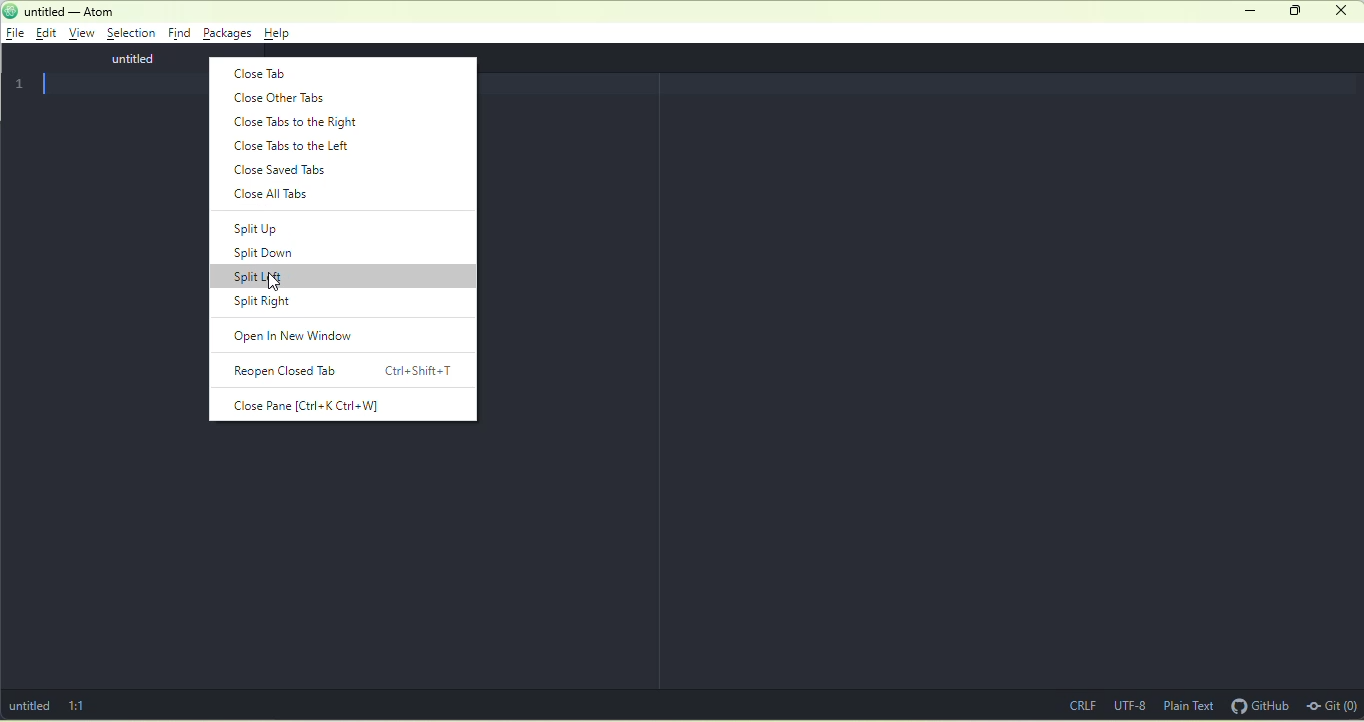 The height and width of the screenshot is (722, 1364). Describe the element at coordinates (1343, 12) in the screenshot. I see `close` at that location.